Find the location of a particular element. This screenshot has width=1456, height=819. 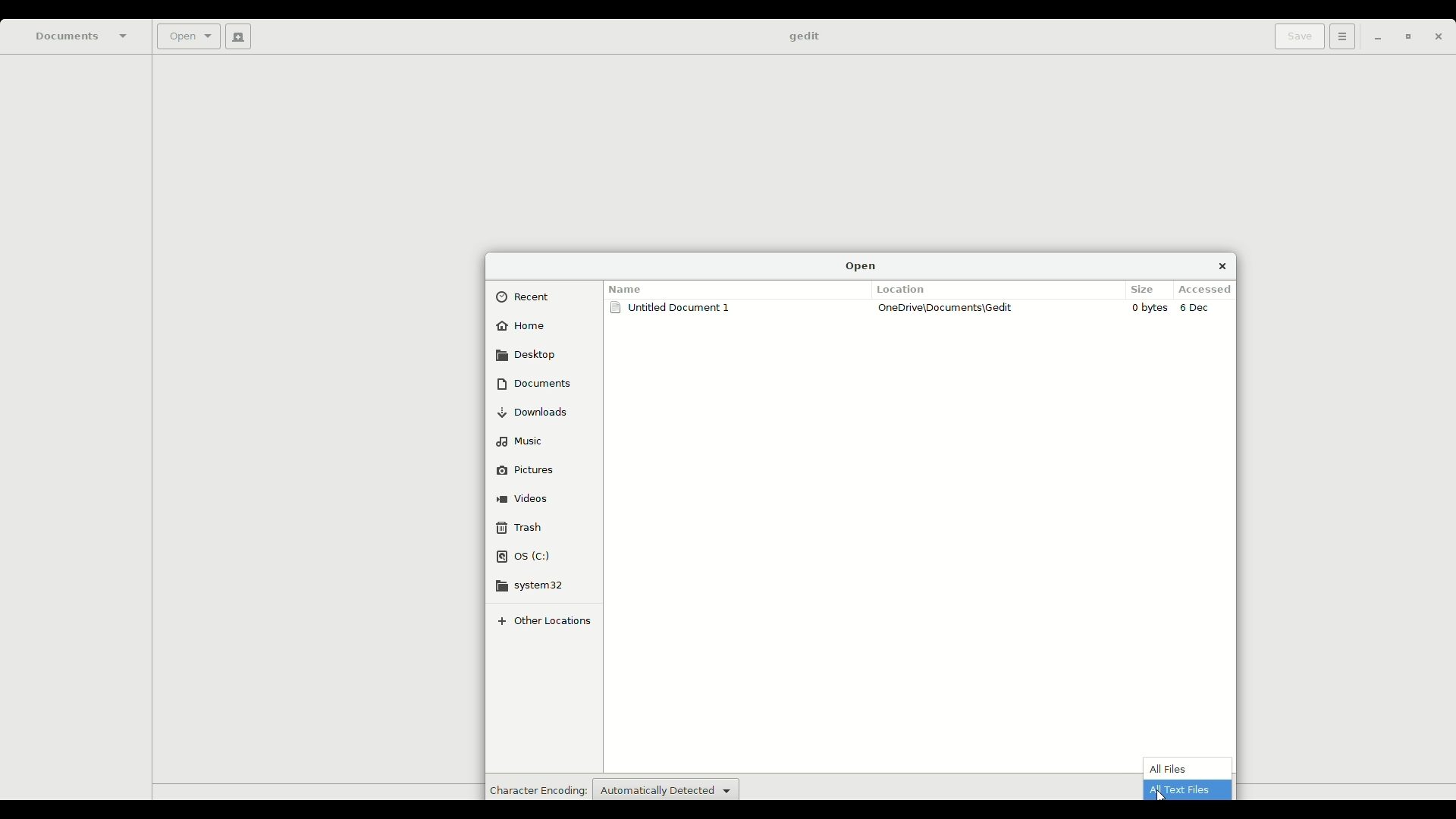

Cursor is located at coordinates (1160, 795).